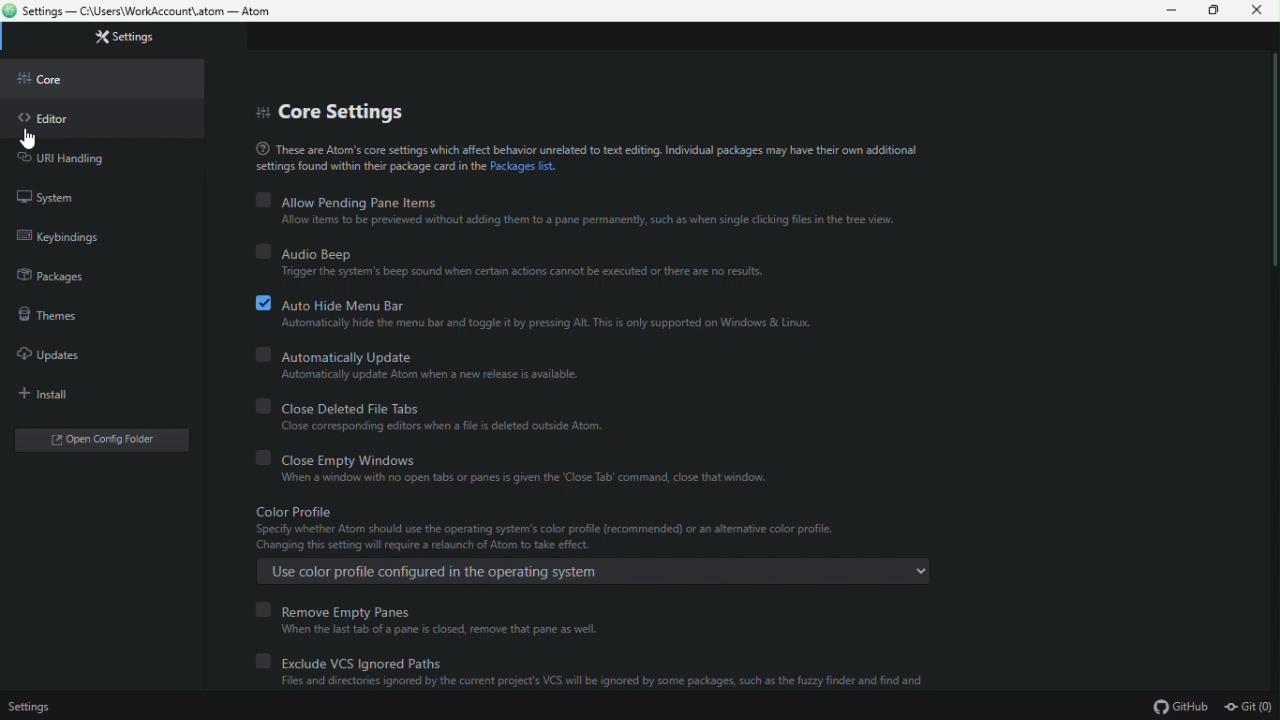  I want to click on System, so click(55, 197).